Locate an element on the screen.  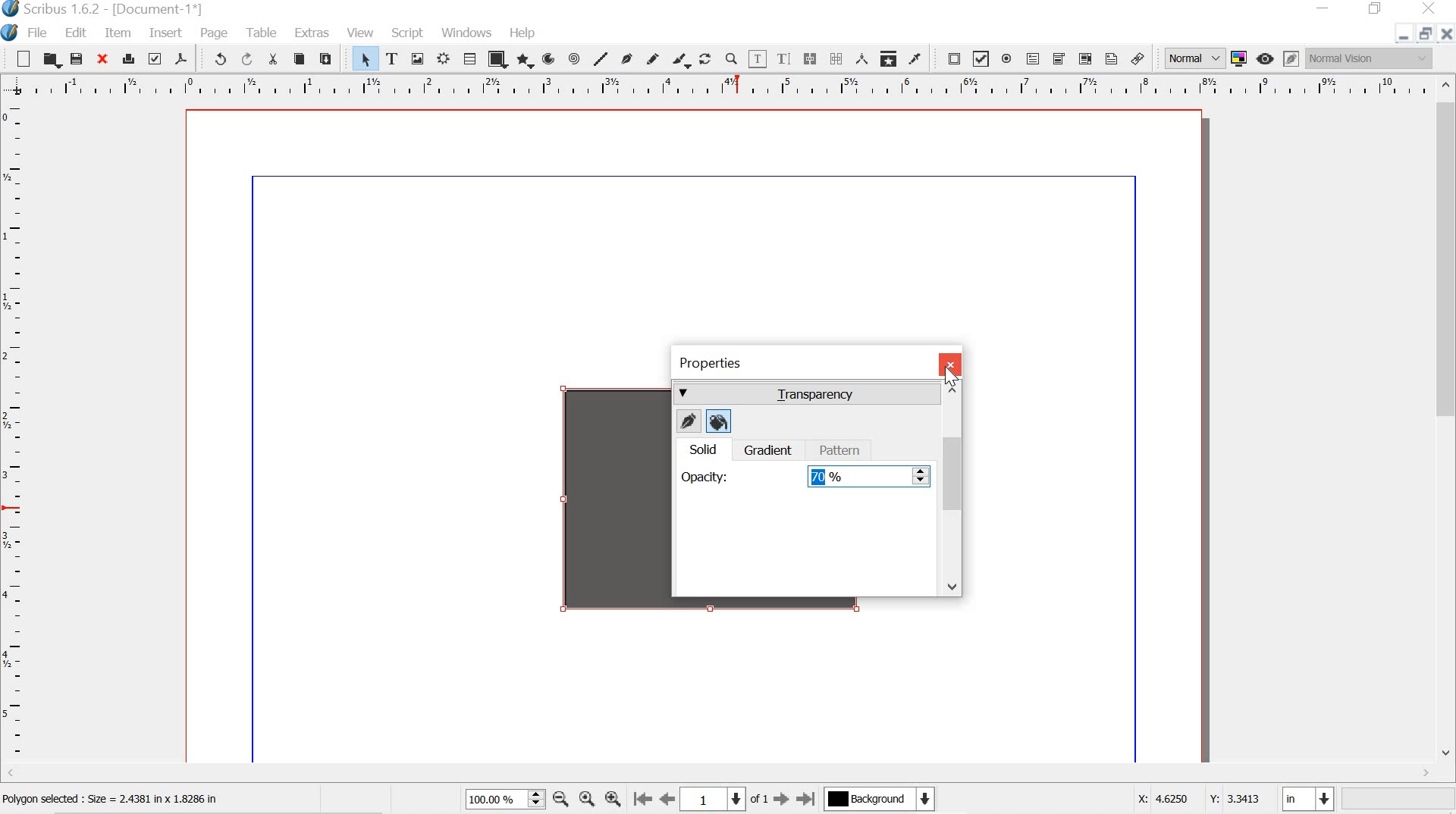
pattern is located at coordinates (841, 449).